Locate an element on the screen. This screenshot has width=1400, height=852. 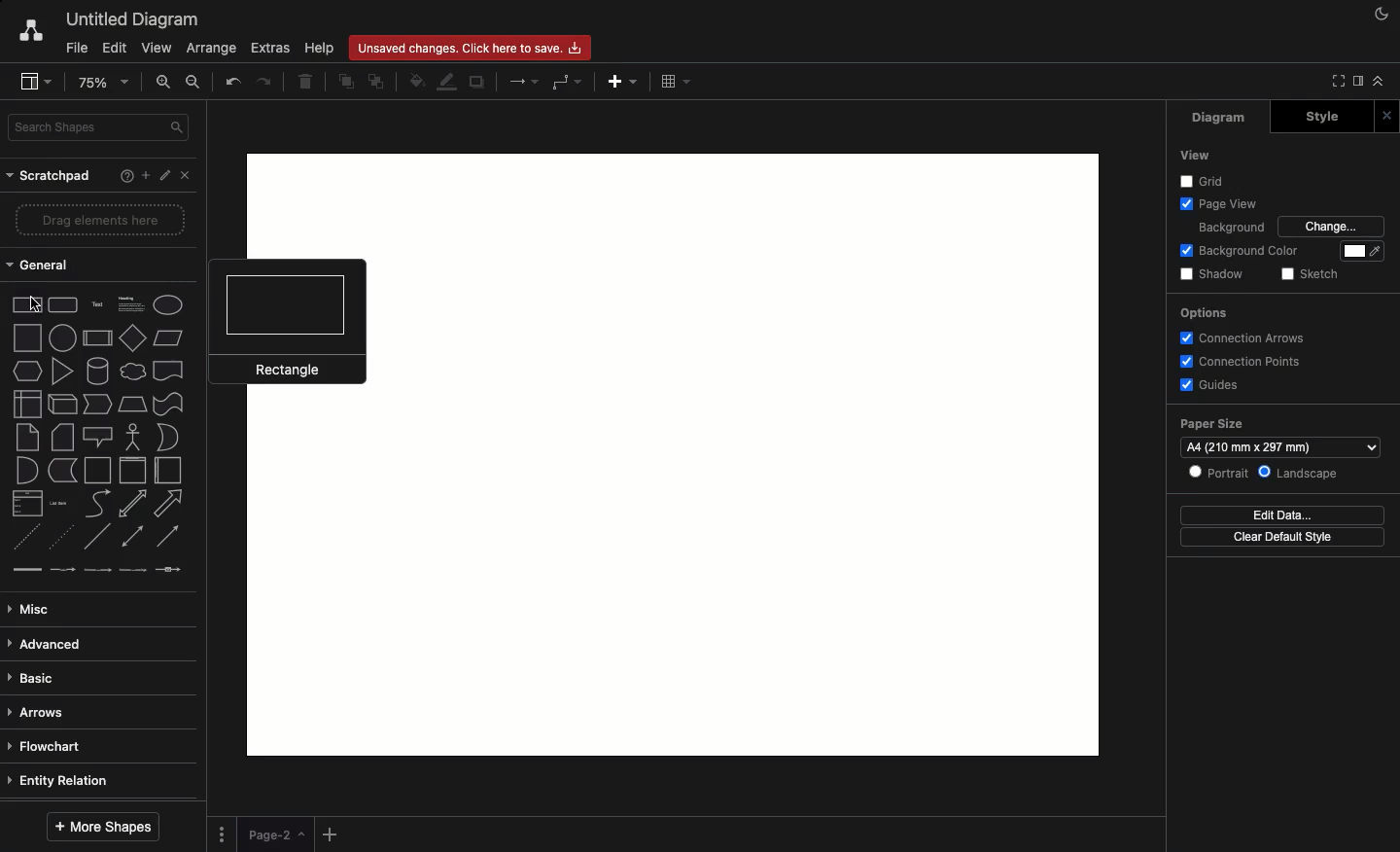
Canvas is located at coordinates (1045, 455).